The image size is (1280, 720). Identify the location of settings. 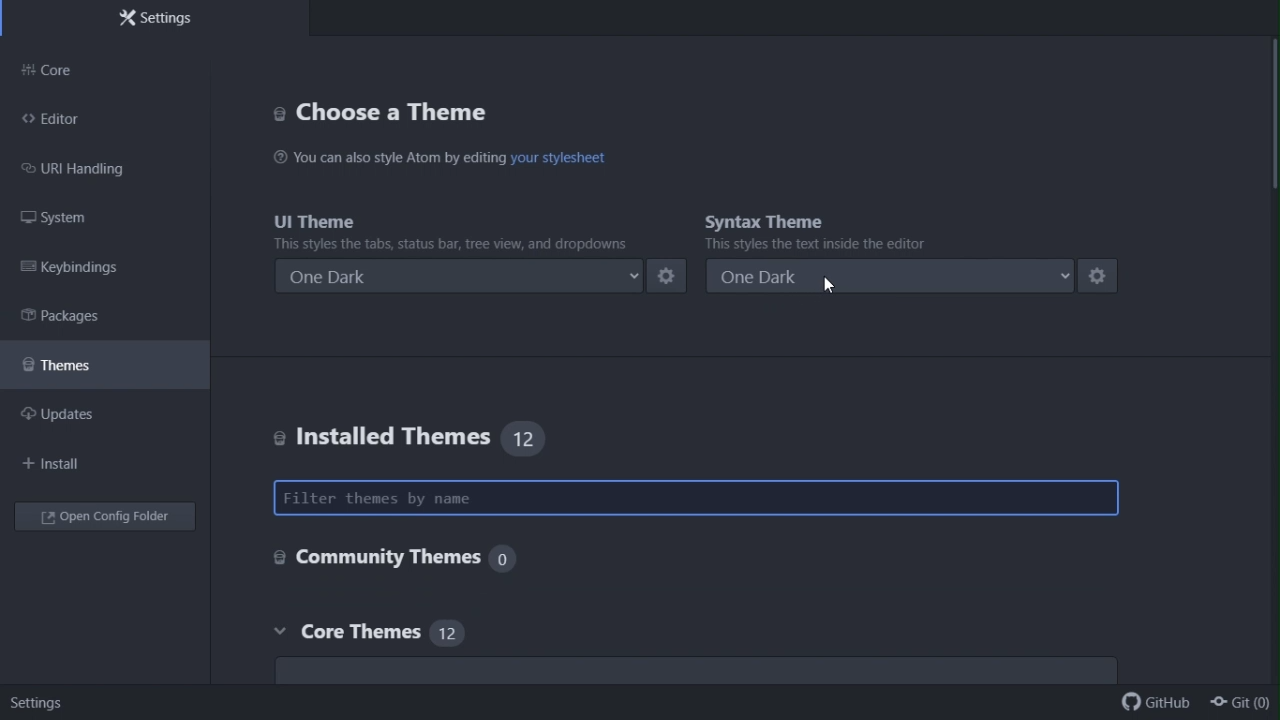
(1106, 276).